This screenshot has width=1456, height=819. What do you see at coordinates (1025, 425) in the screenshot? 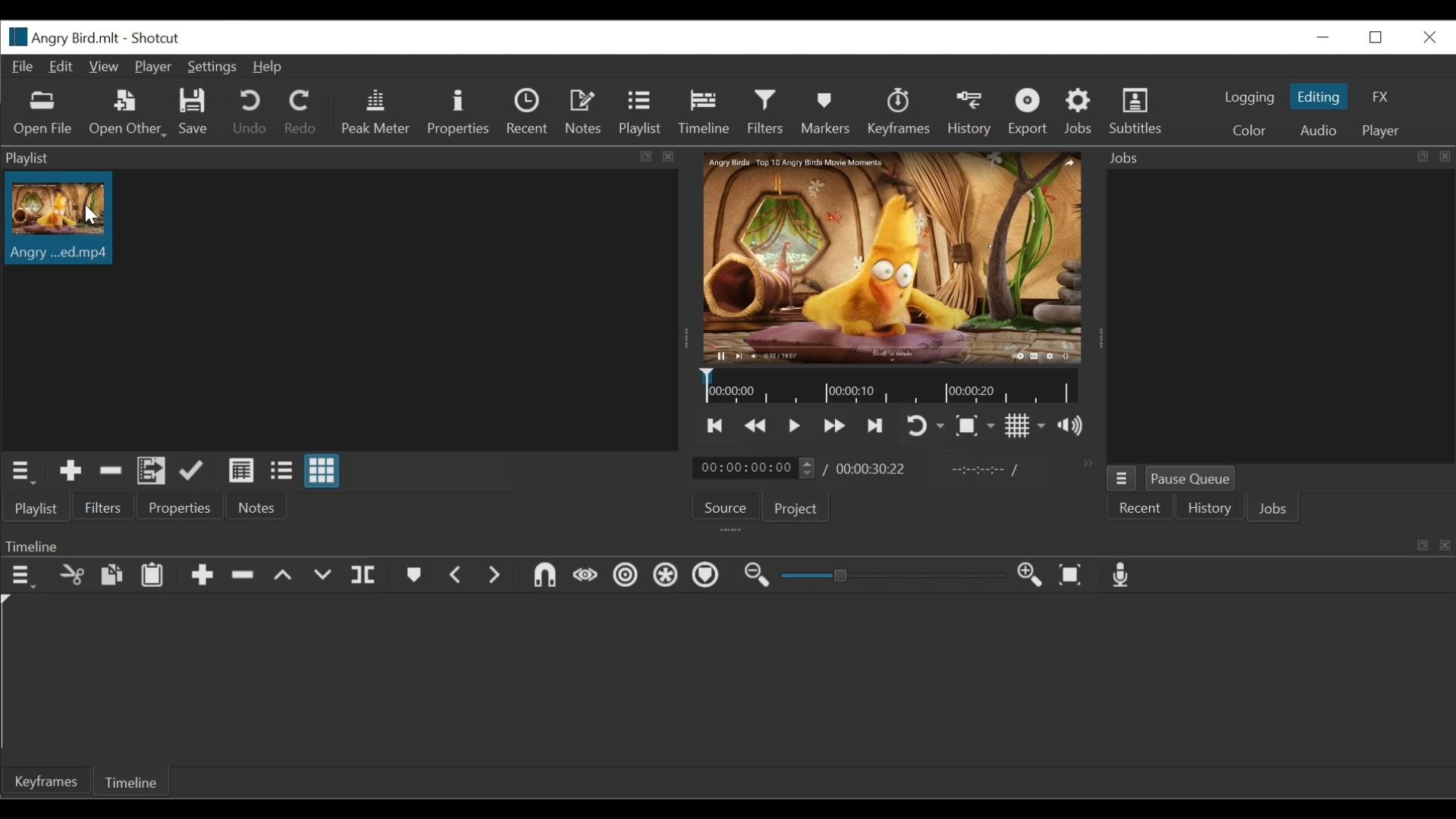
I see `Toggle display grid on the player` at bounding box center [1025, 425].